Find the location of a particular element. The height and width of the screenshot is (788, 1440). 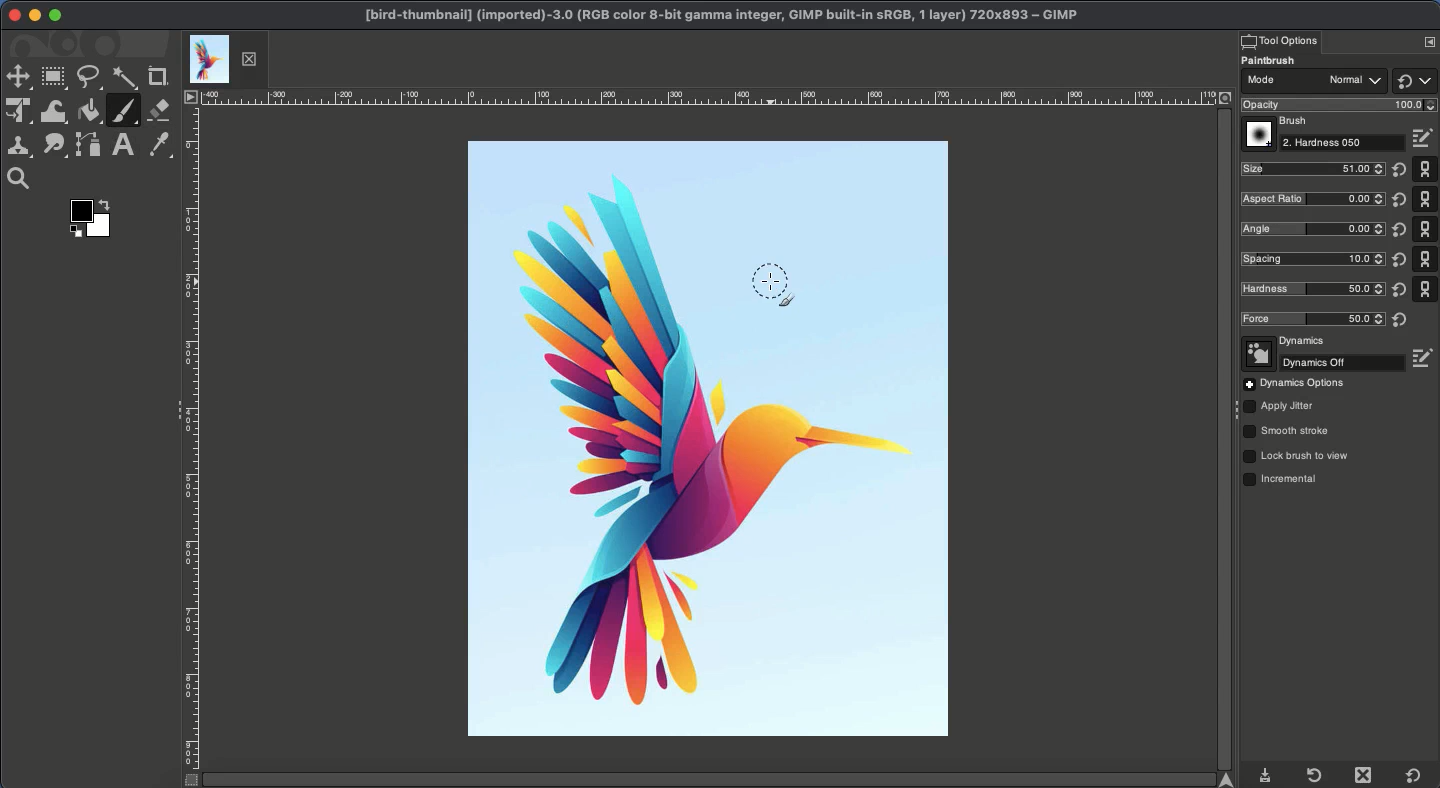

Ratio is located at coordinates (1314, 200).